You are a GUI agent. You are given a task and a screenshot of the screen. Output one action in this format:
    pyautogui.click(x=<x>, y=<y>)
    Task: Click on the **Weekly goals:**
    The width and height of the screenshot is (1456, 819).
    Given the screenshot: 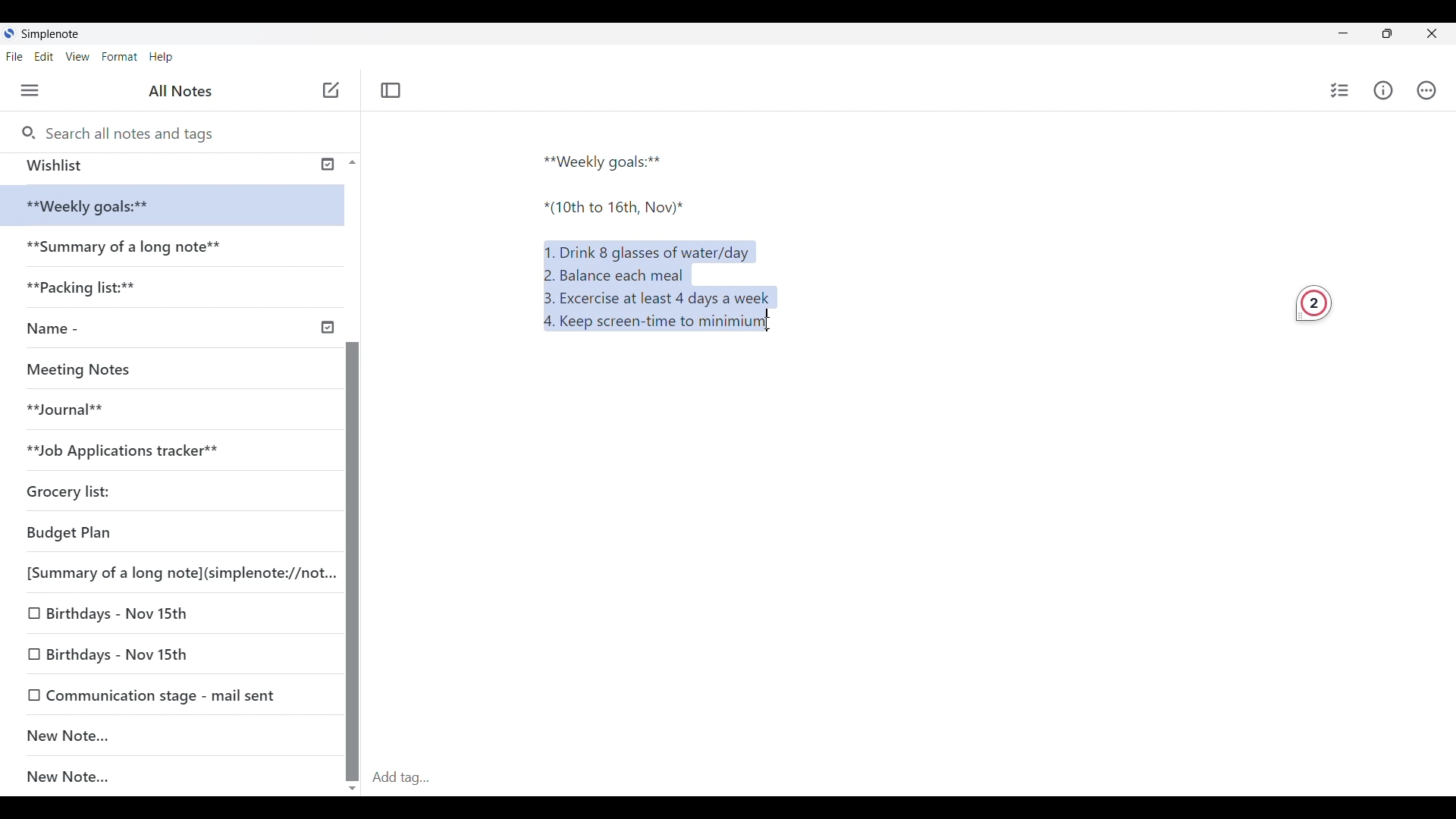 What is the action you would take?
    pyautogui.click(x=99, y=206)
    